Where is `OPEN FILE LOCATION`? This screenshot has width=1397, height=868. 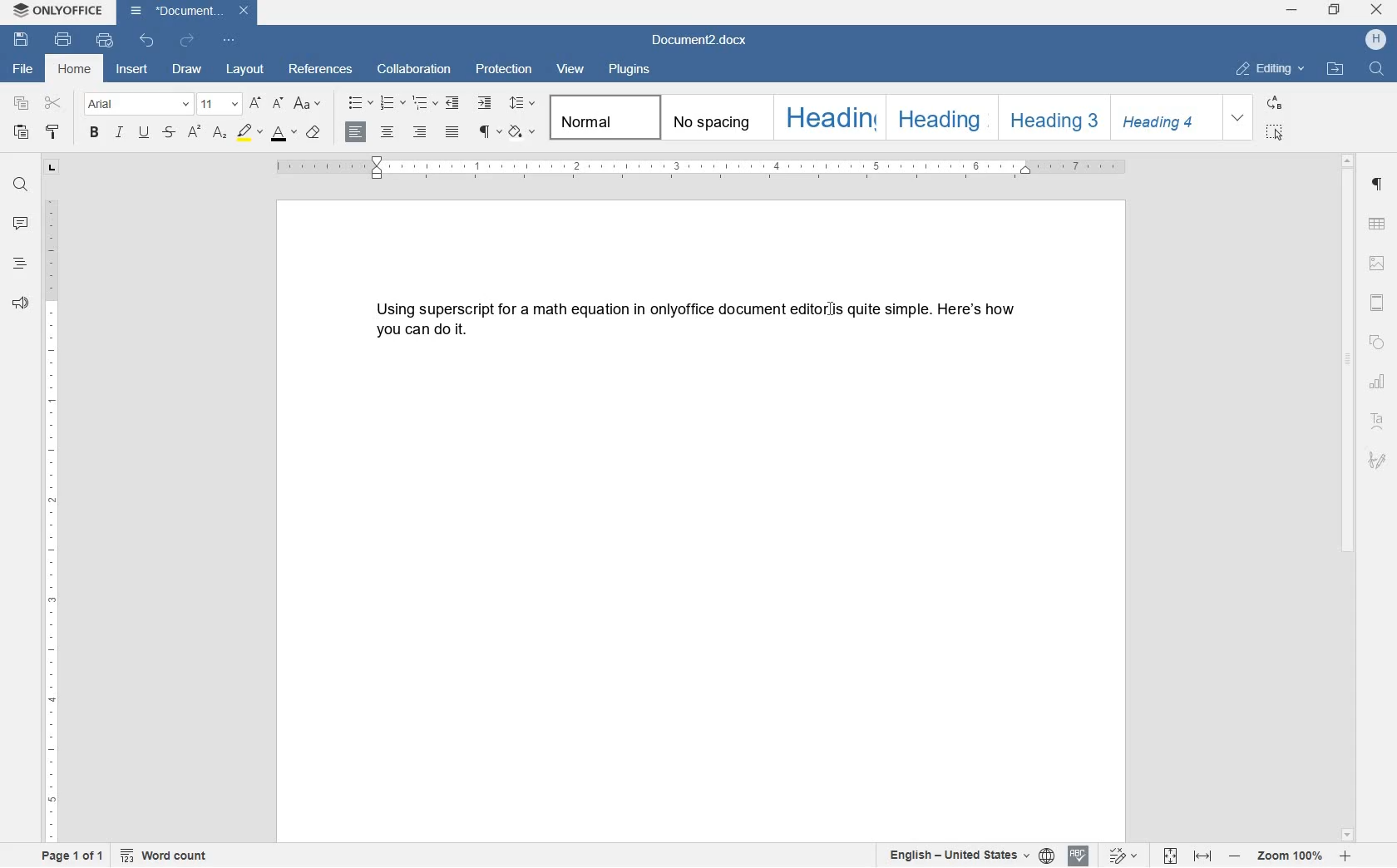
OPEN FILE LOCATION is located at coordinates (1337, 72).